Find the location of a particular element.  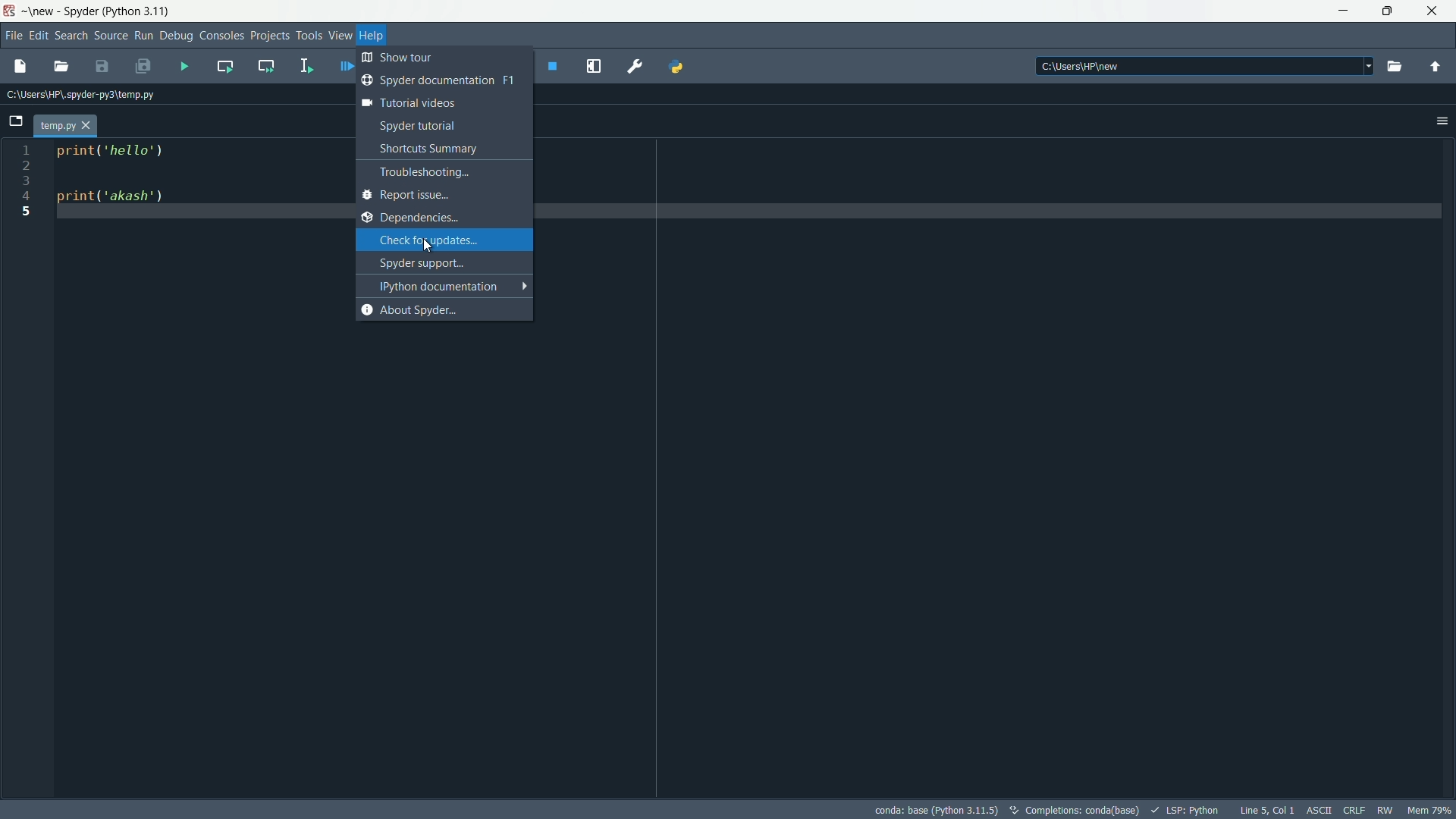

spyder documentation F1 is located at coordinates (438, 80).